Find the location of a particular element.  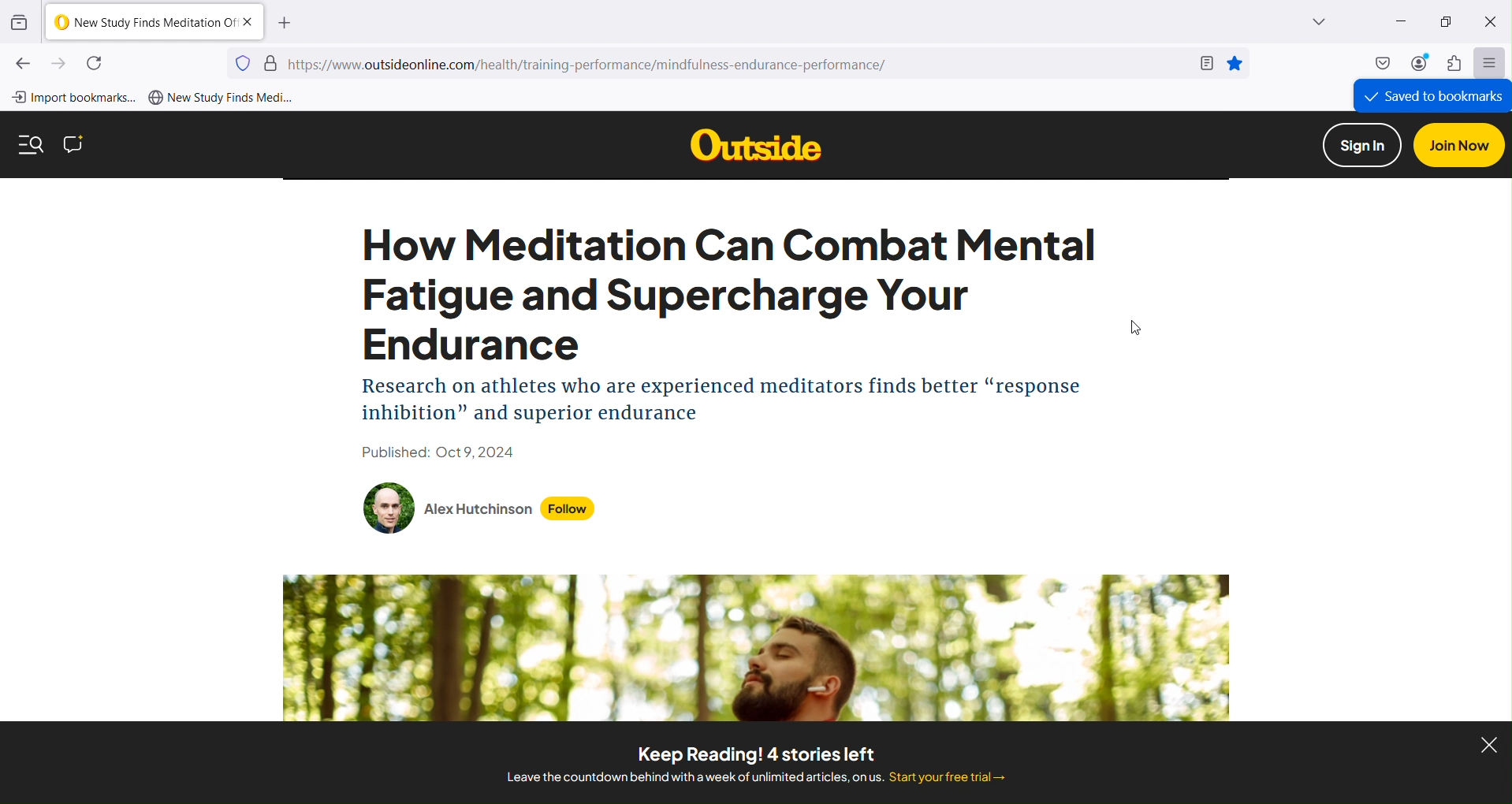

Confirmation that the webpage has been added to Bookmarks is located at coordinates (1432, 96).